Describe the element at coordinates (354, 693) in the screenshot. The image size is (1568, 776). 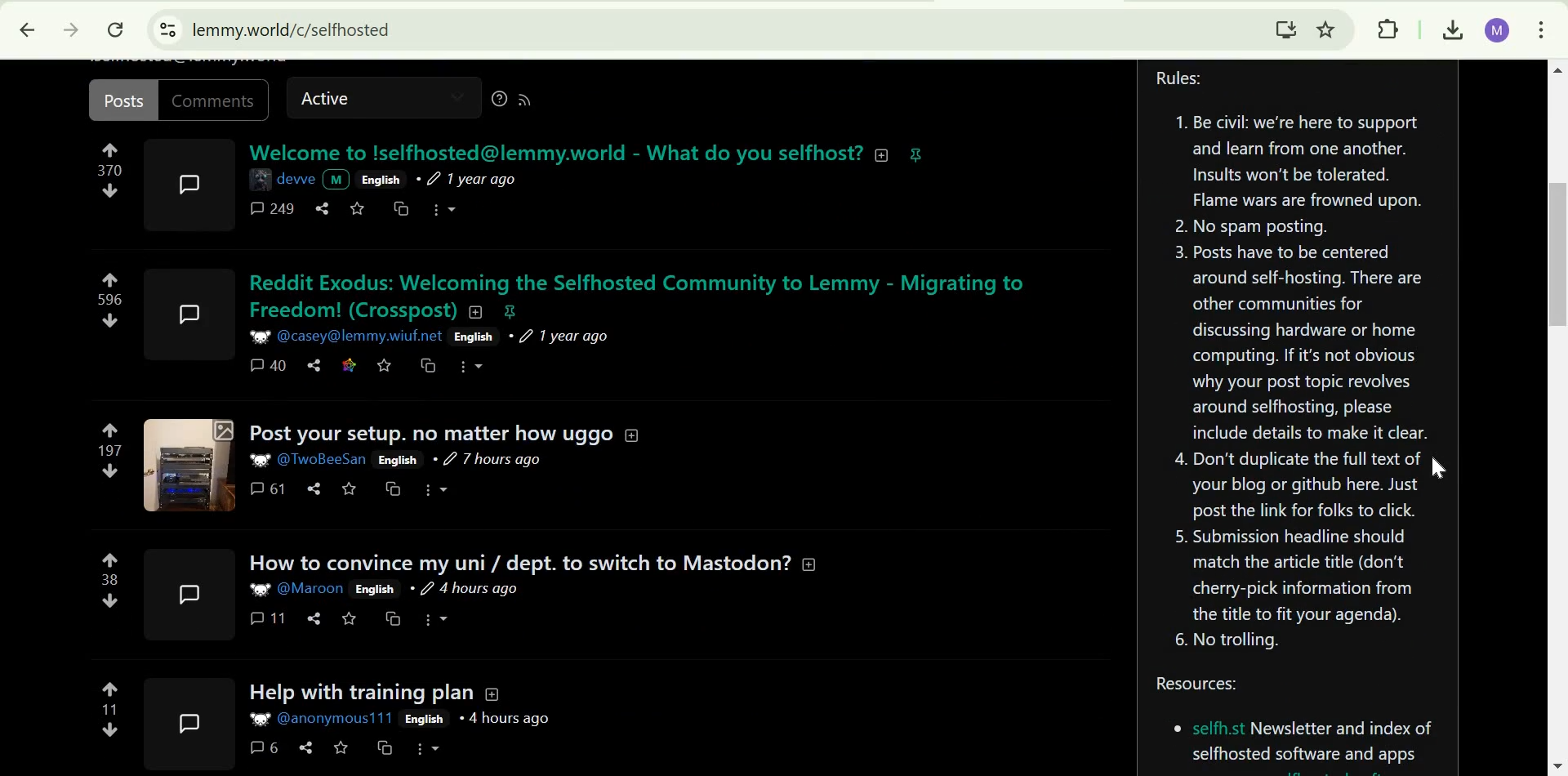
I see `Help with training plan` at that location.